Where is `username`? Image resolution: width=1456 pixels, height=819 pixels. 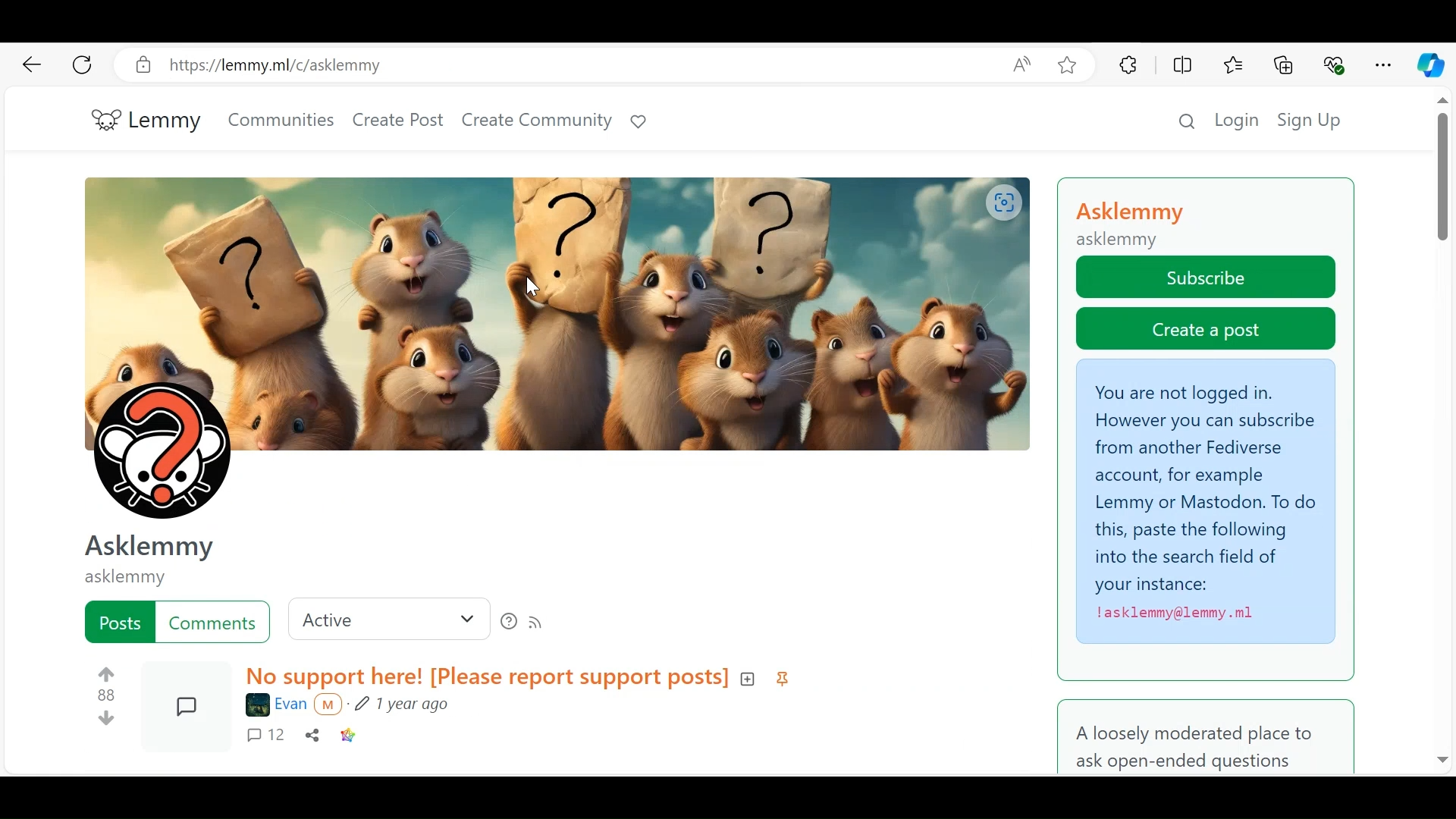 username is located at coordinates (1135, 214).